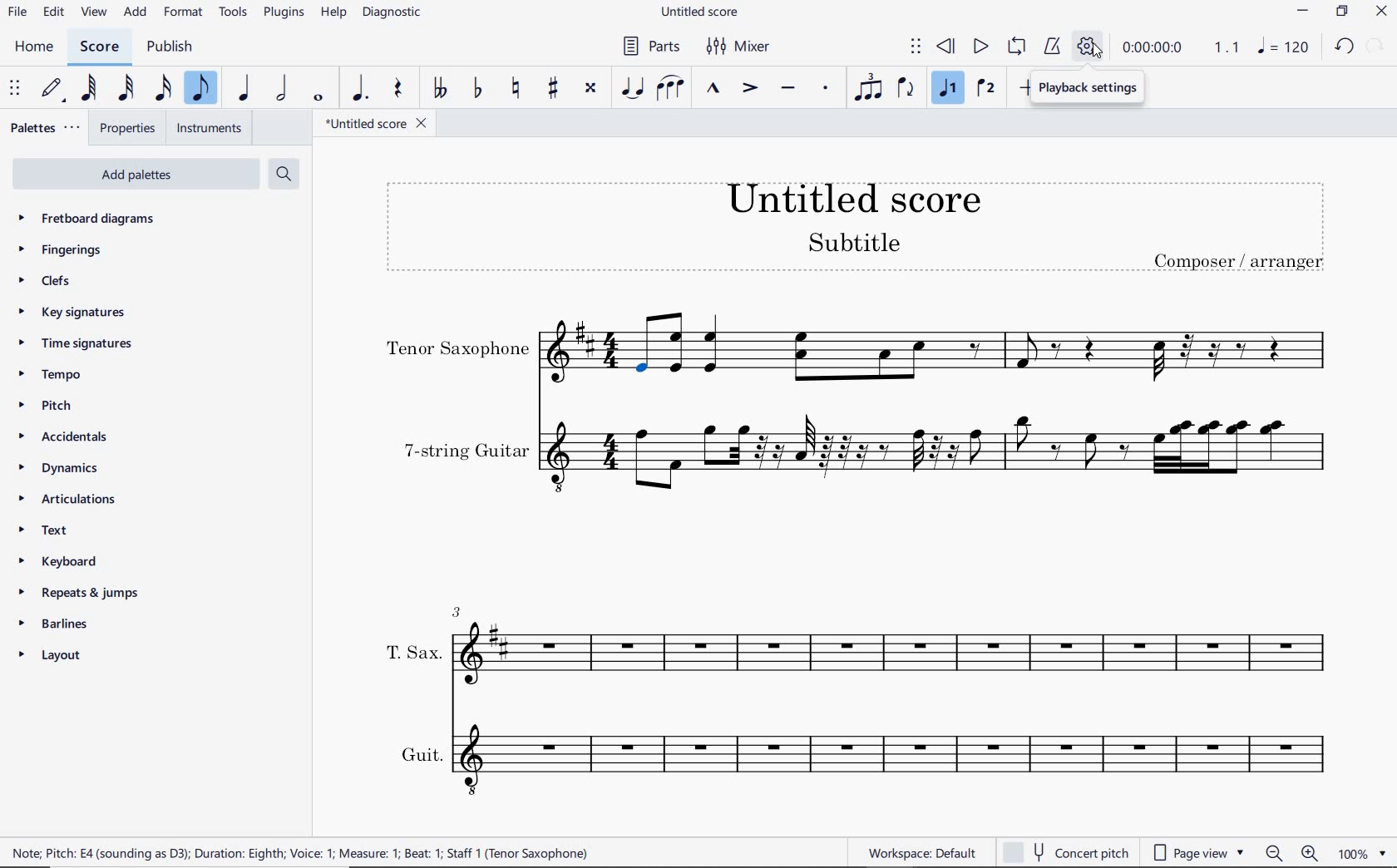  I want to click on ADD PALETTES, so click(140, 175).